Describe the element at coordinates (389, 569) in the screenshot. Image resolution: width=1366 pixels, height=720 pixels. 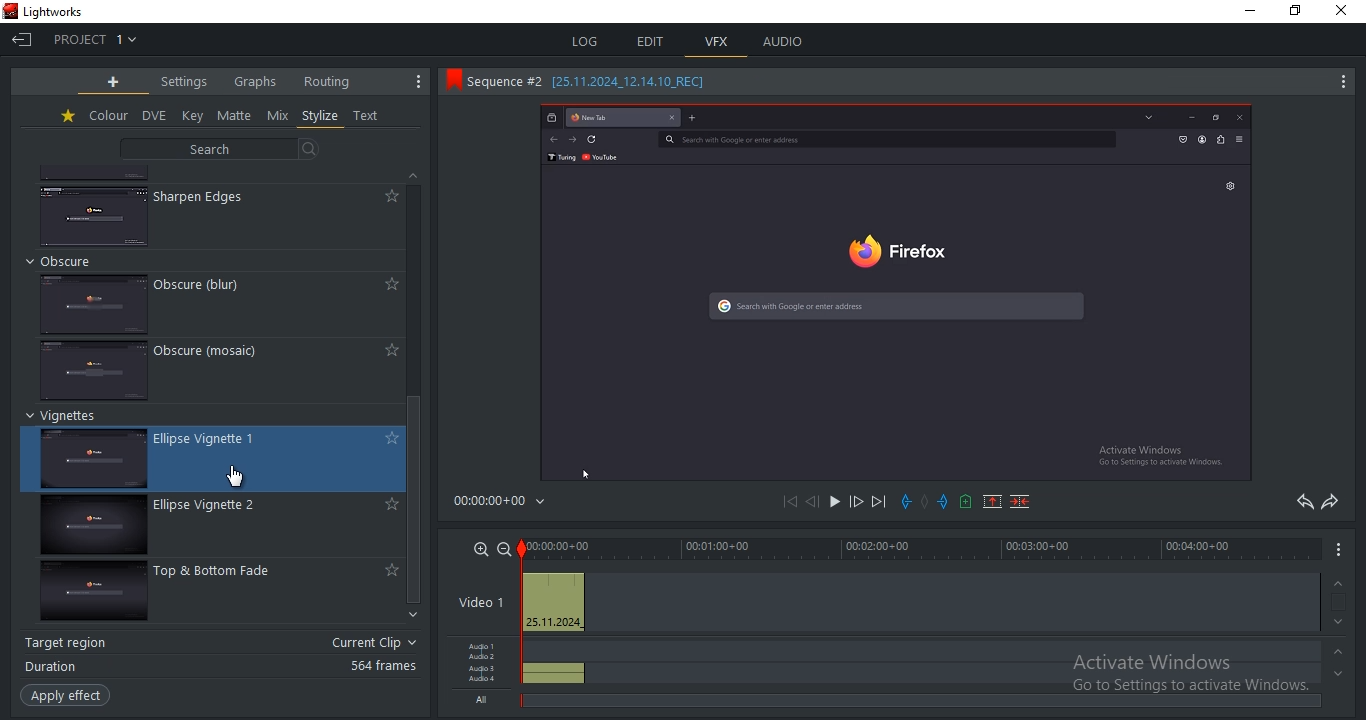
I see `Add the favorites` at that location.